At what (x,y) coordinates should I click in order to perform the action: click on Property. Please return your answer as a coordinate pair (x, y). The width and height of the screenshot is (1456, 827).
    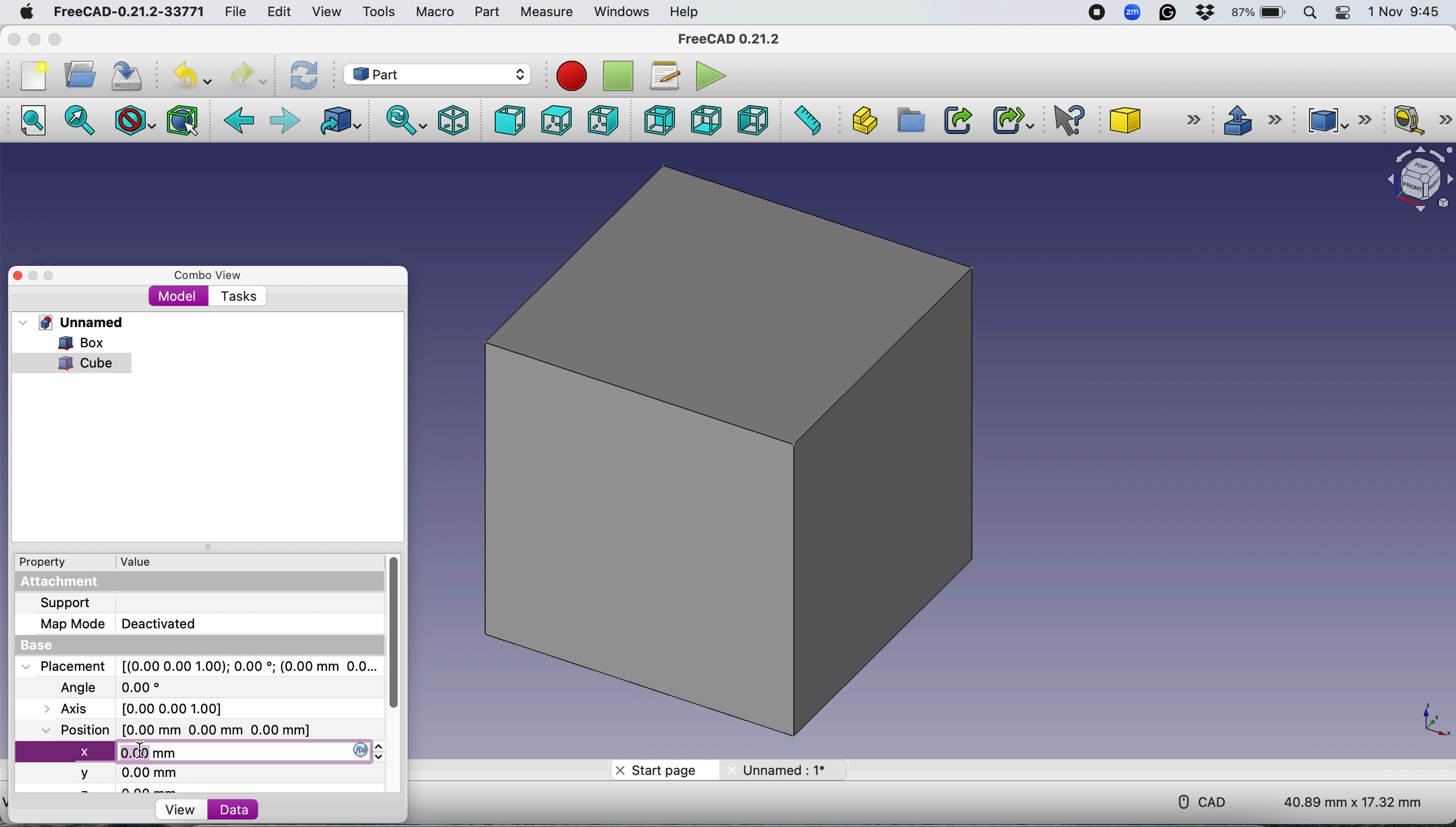
    Looking at the image, I should click on (37, 562).